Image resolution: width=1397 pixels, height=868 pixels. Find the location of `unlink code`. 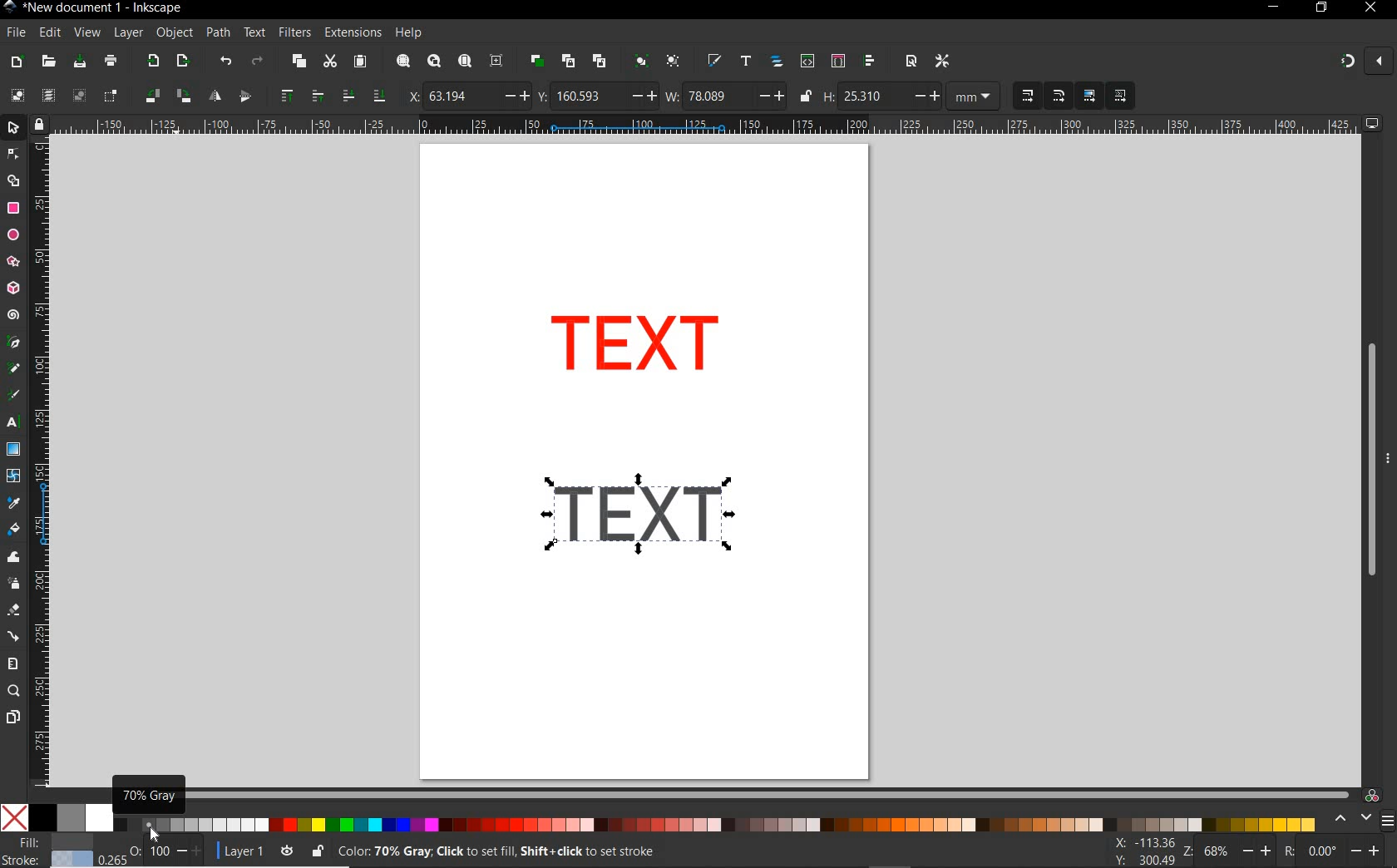

unlink code is located at coordinates (596, 61).